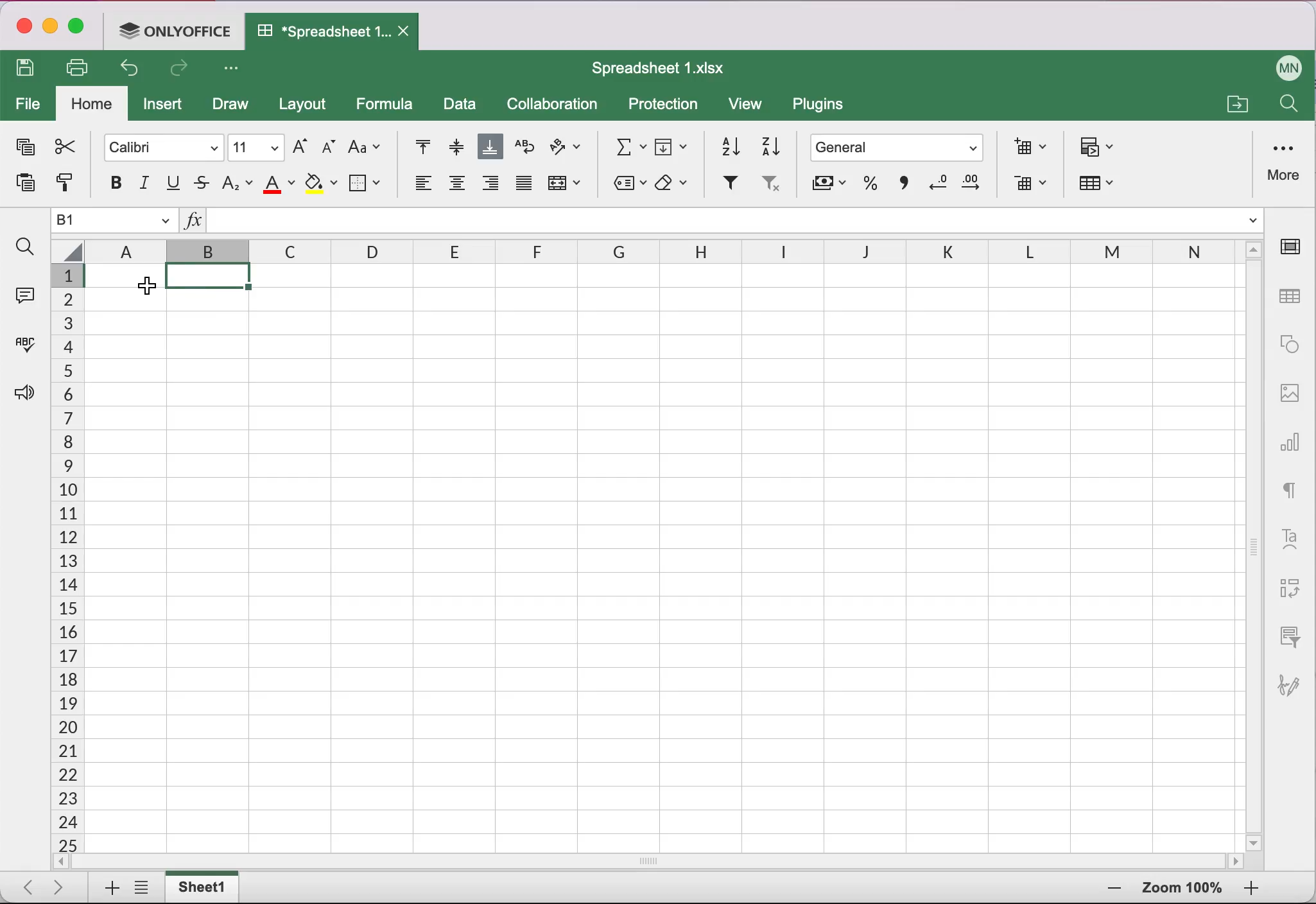  Describe the element at coordinates (134, 71) in the screenshot. I see `undo` at that location.